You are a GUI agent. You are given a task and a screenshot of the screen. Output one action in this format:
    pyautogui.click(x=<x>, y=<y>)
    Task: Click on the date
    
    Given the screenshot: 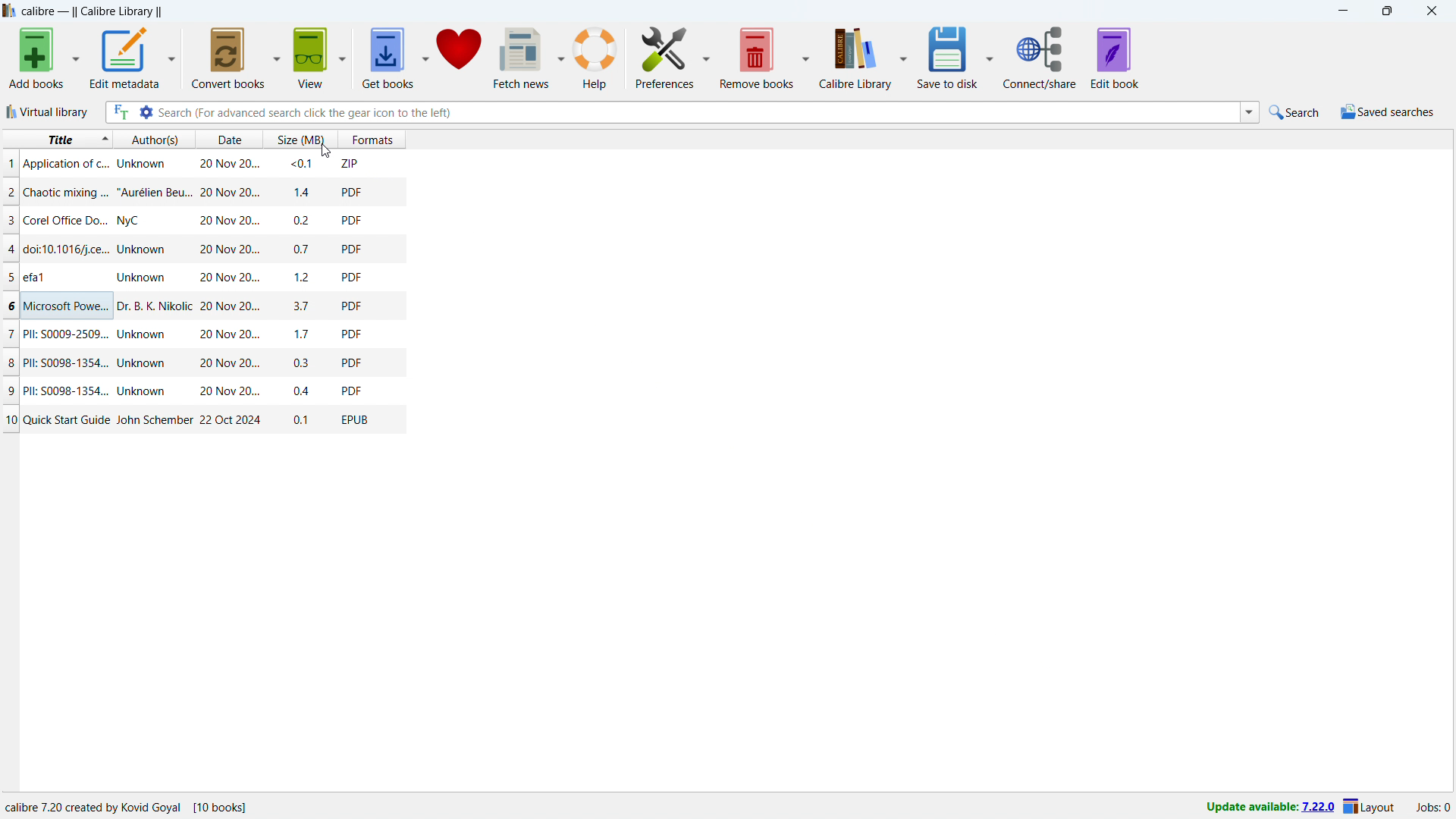 What is the action you would take?
    pyautogui.click(x=230, y=334)
    